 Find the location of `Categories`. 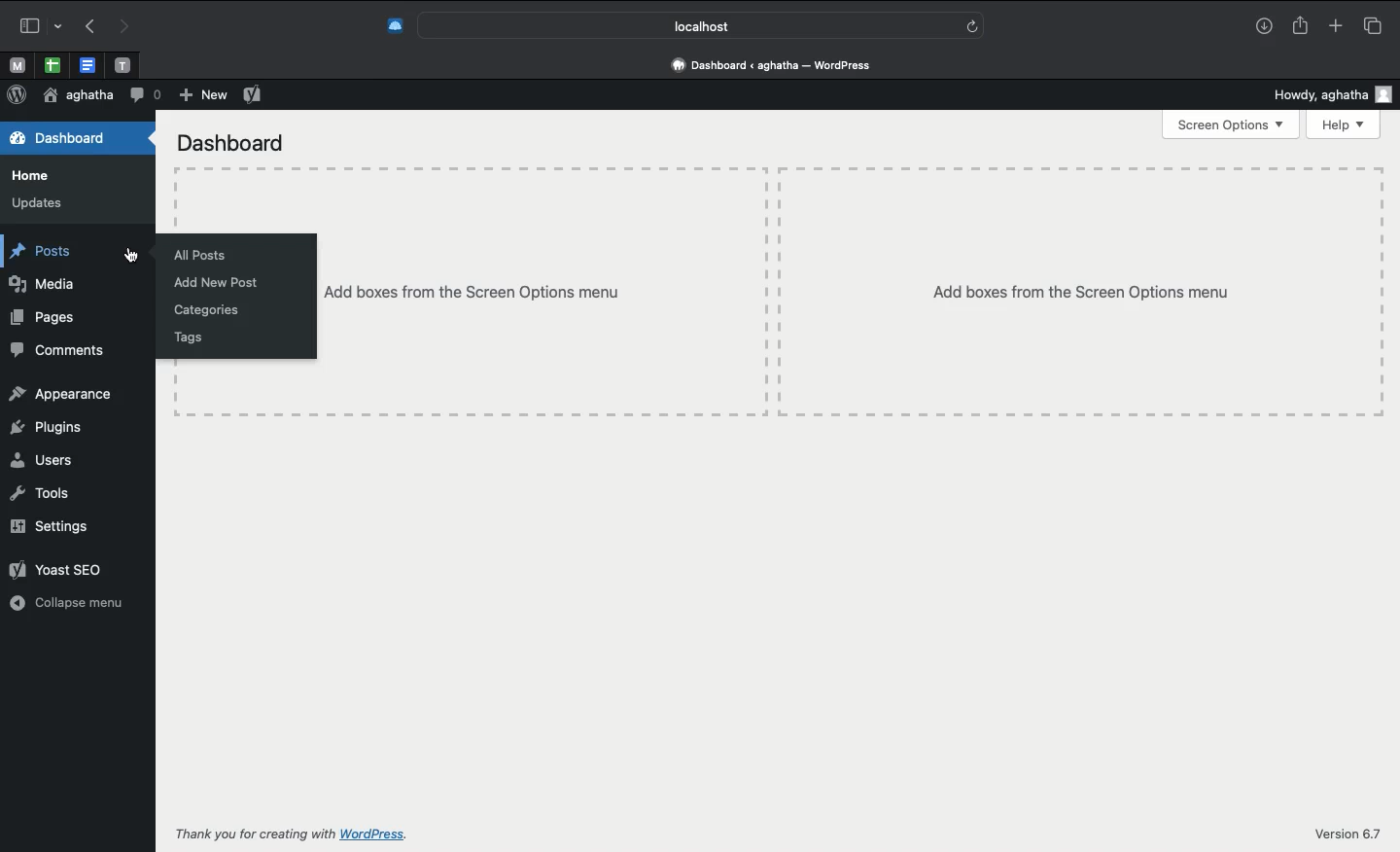

Categories is located at coordinates (209, 309).